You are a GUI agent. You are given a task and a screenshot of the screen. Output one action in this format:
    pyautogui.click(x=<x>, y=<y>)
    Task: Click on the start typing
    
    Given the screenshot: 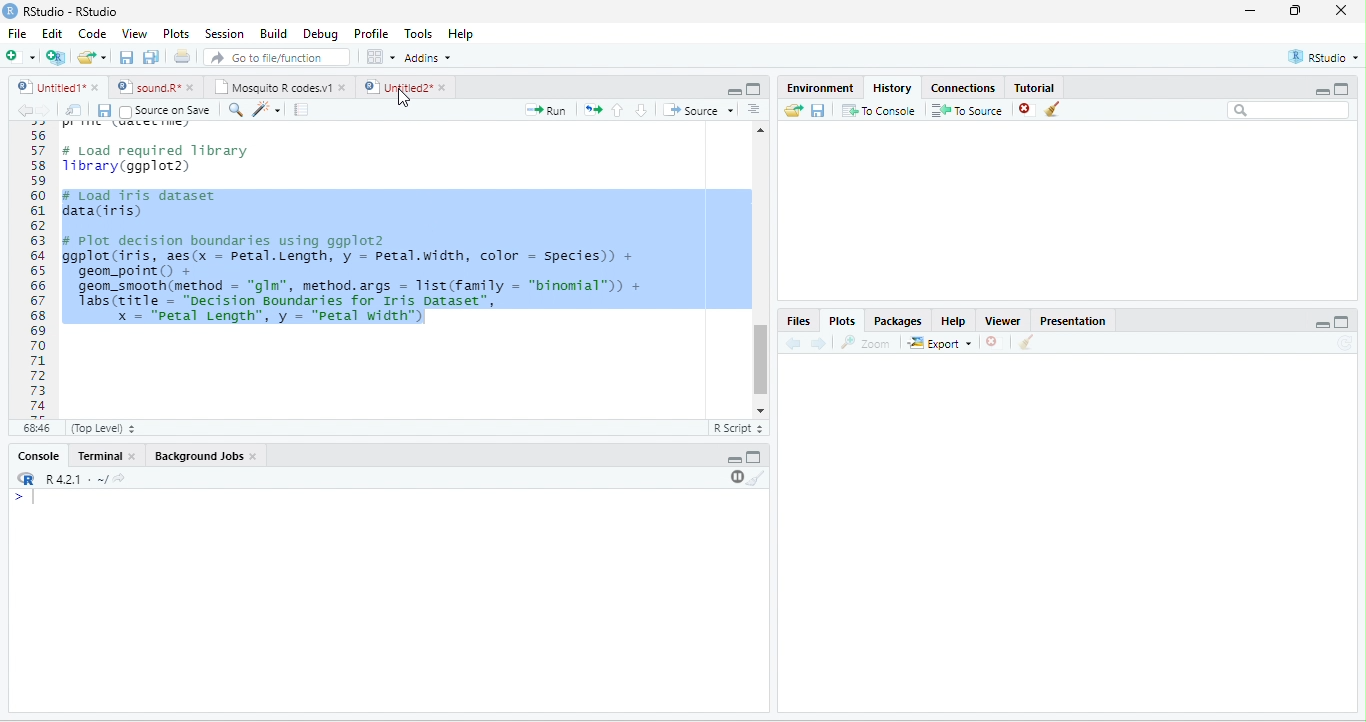 What is the action you would take?
    pyautogui.click(x=28, y=498)
    